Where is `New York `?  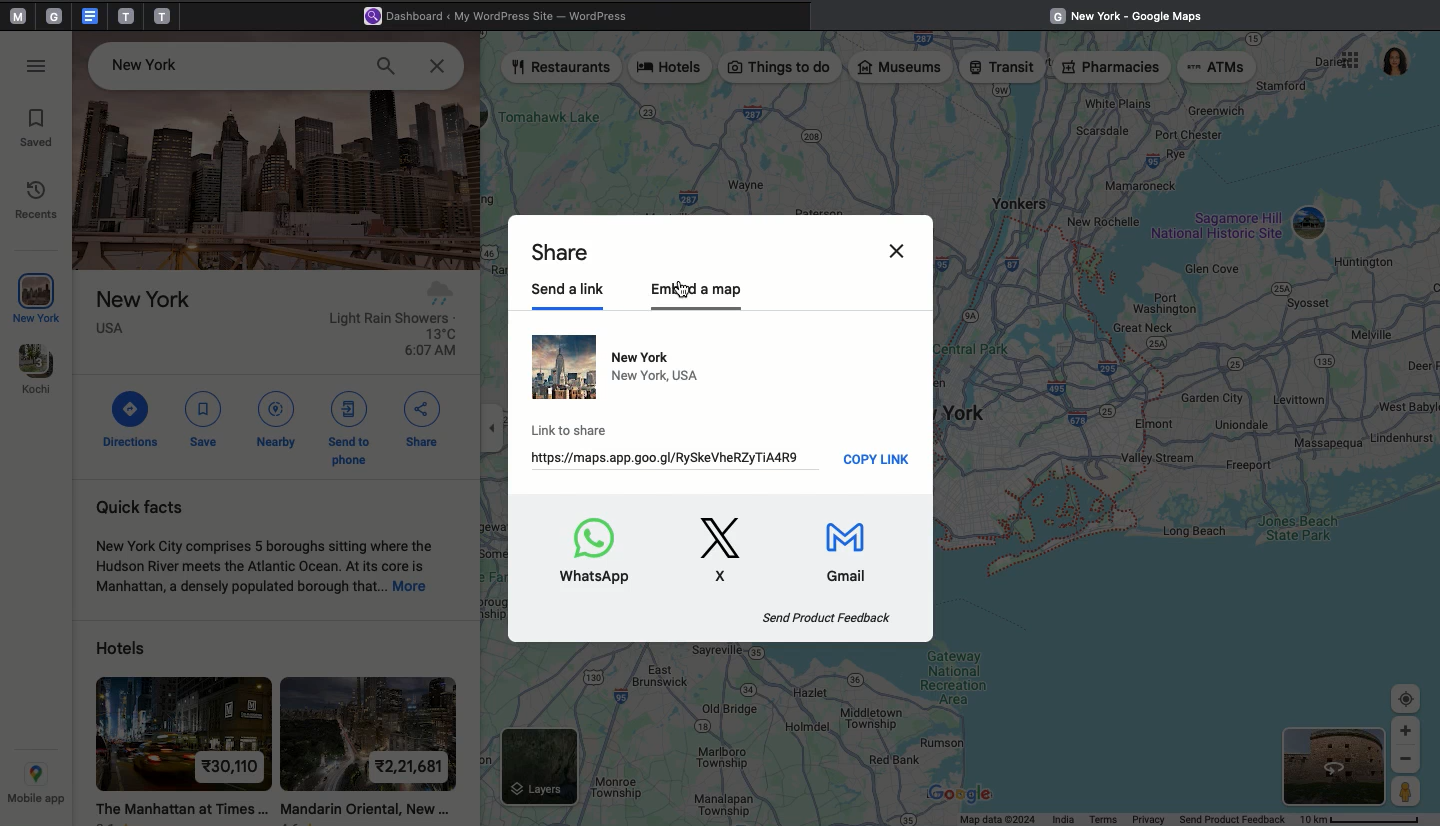
New York  is located at coordinates (617, 369).